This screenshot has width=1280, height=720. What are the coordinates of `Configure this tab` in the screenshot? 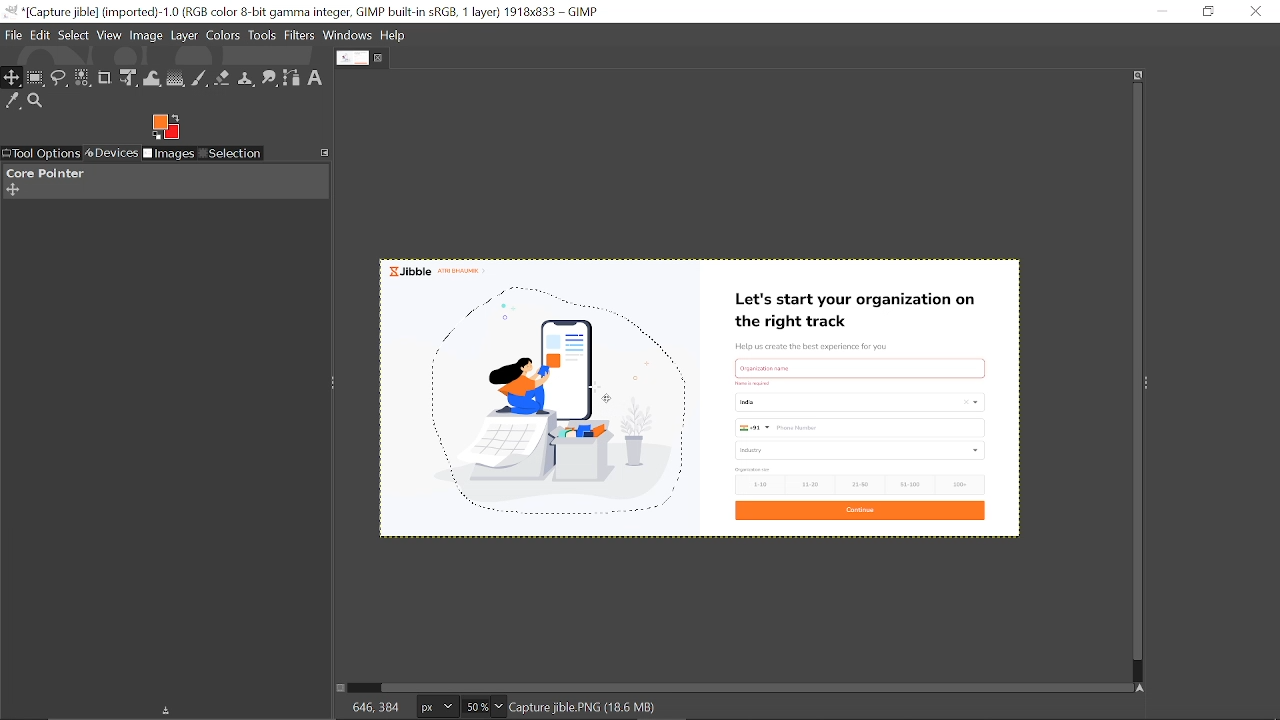 It's located at (326, 151).